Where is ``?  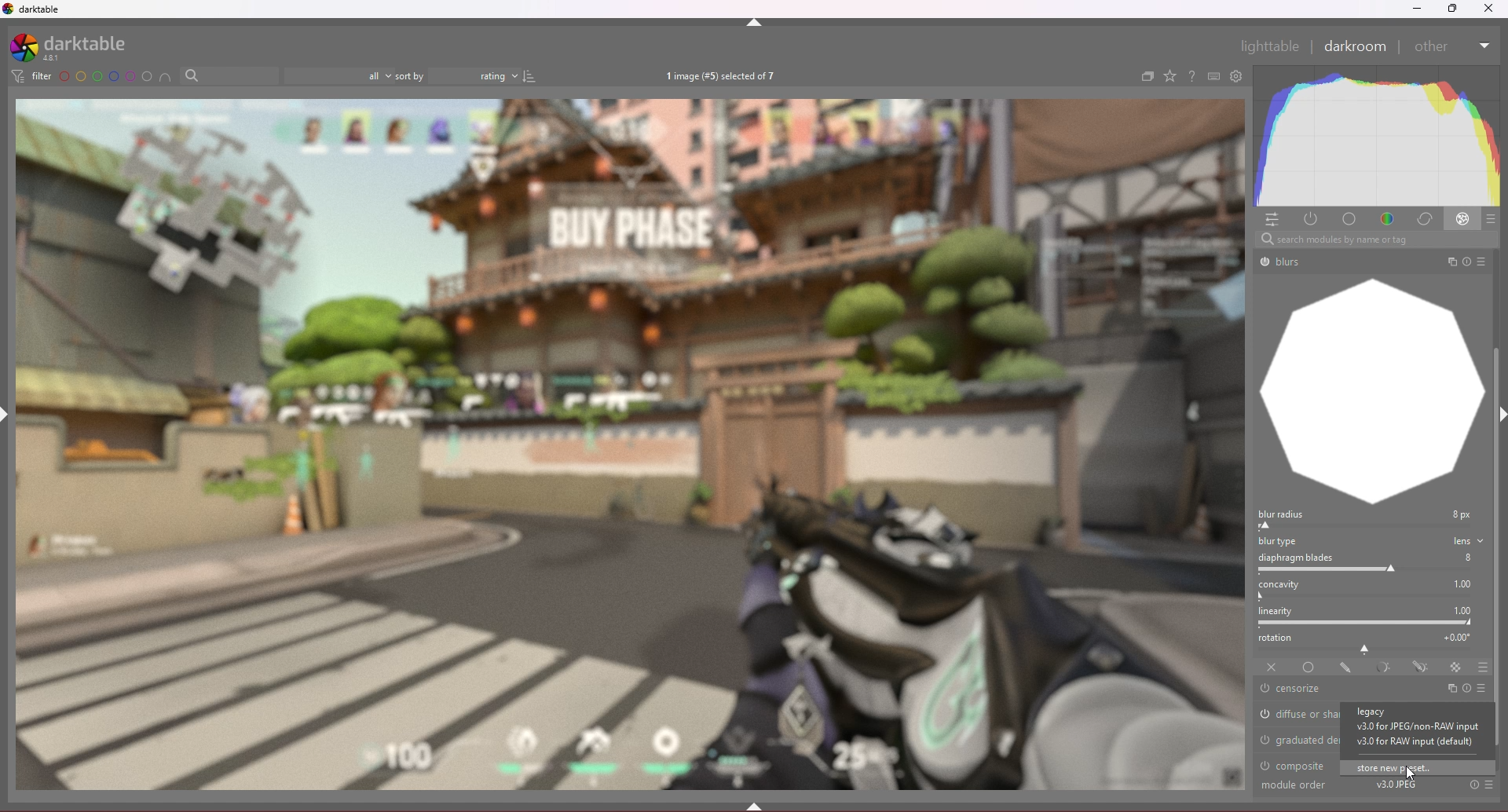
 is located at coordinates (1473, 785).